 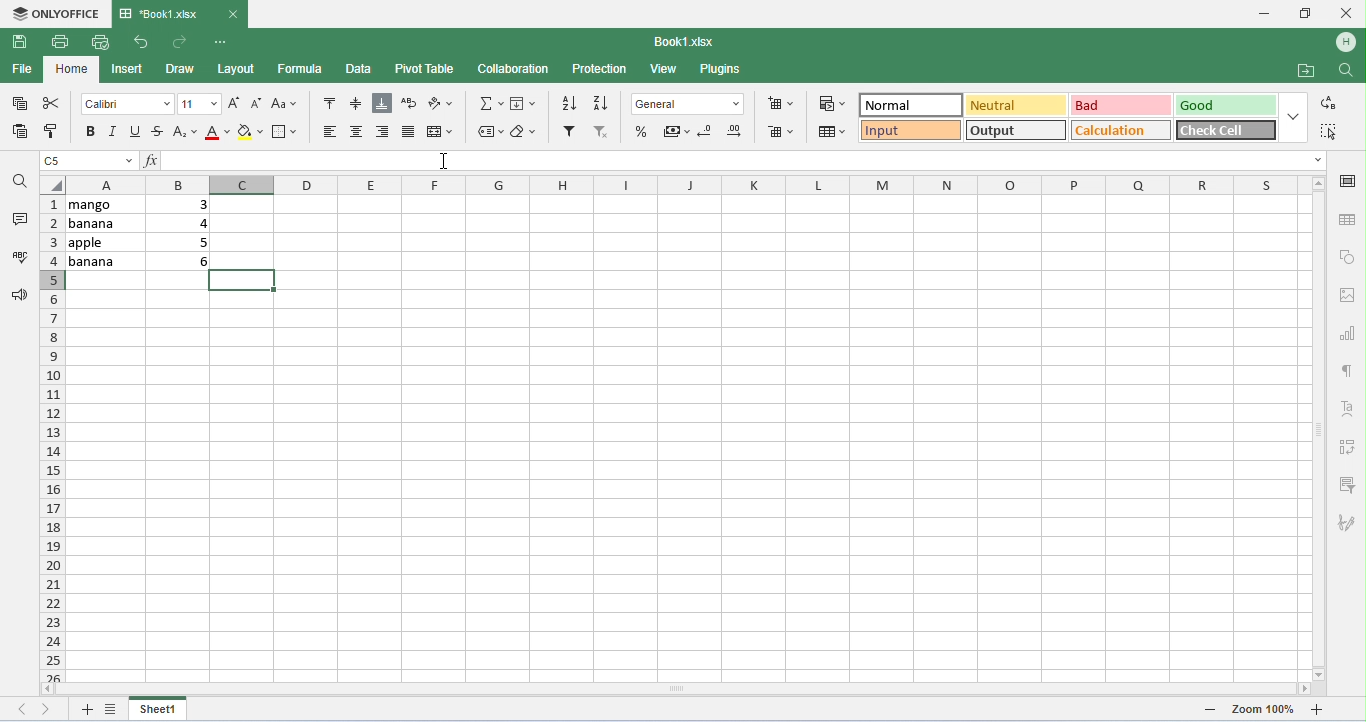 I want to click on delete cells, so click(x=779, y=132).